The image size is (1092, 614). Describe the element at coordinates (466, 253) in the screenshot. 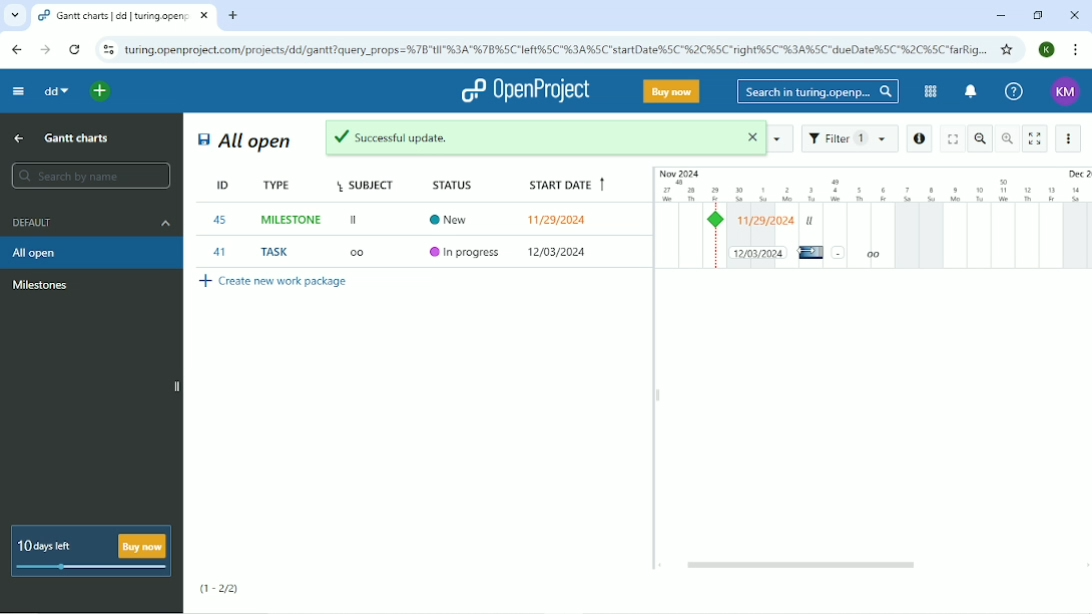

I see `In progress` at that location.